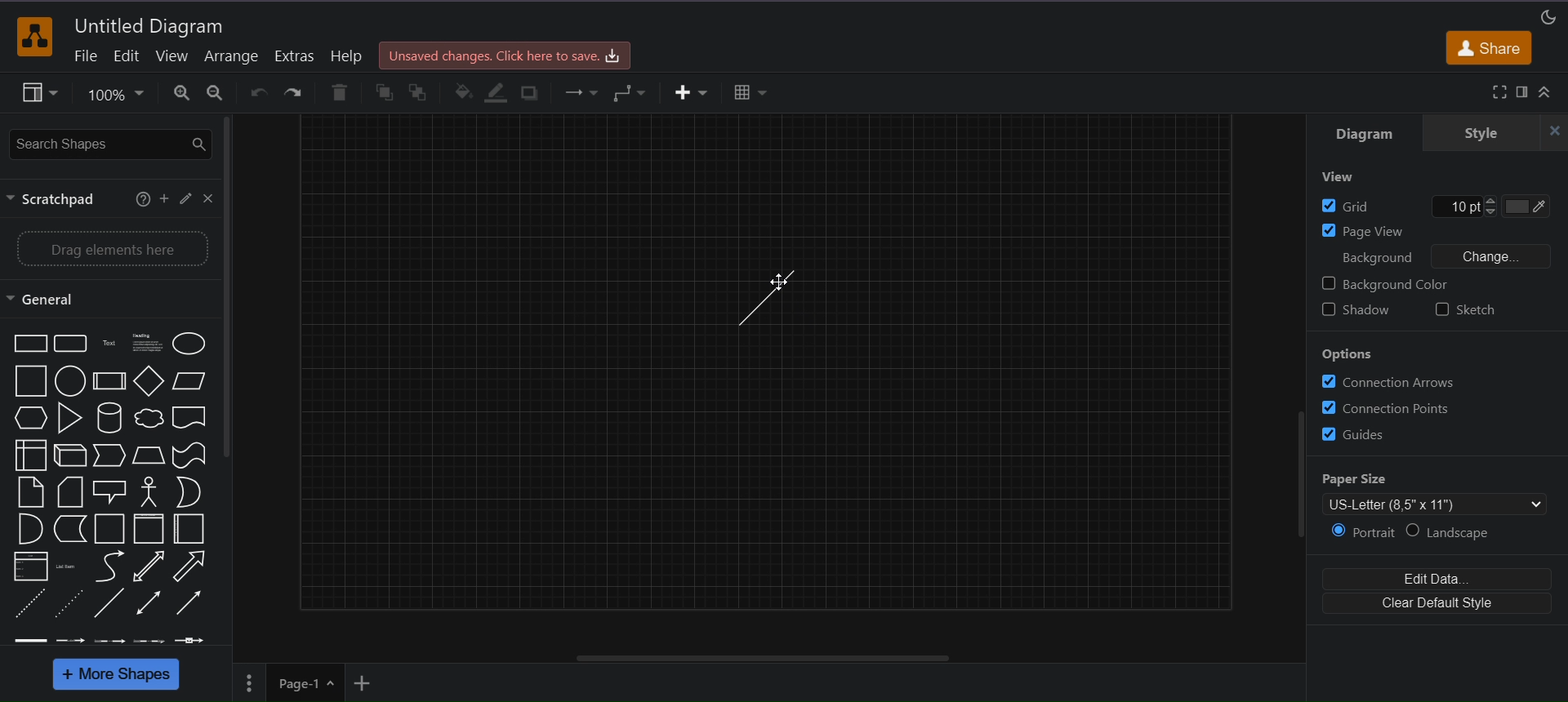  Describe the element at coordinates (172, 56) in the screenshot. I see `view` at that location.